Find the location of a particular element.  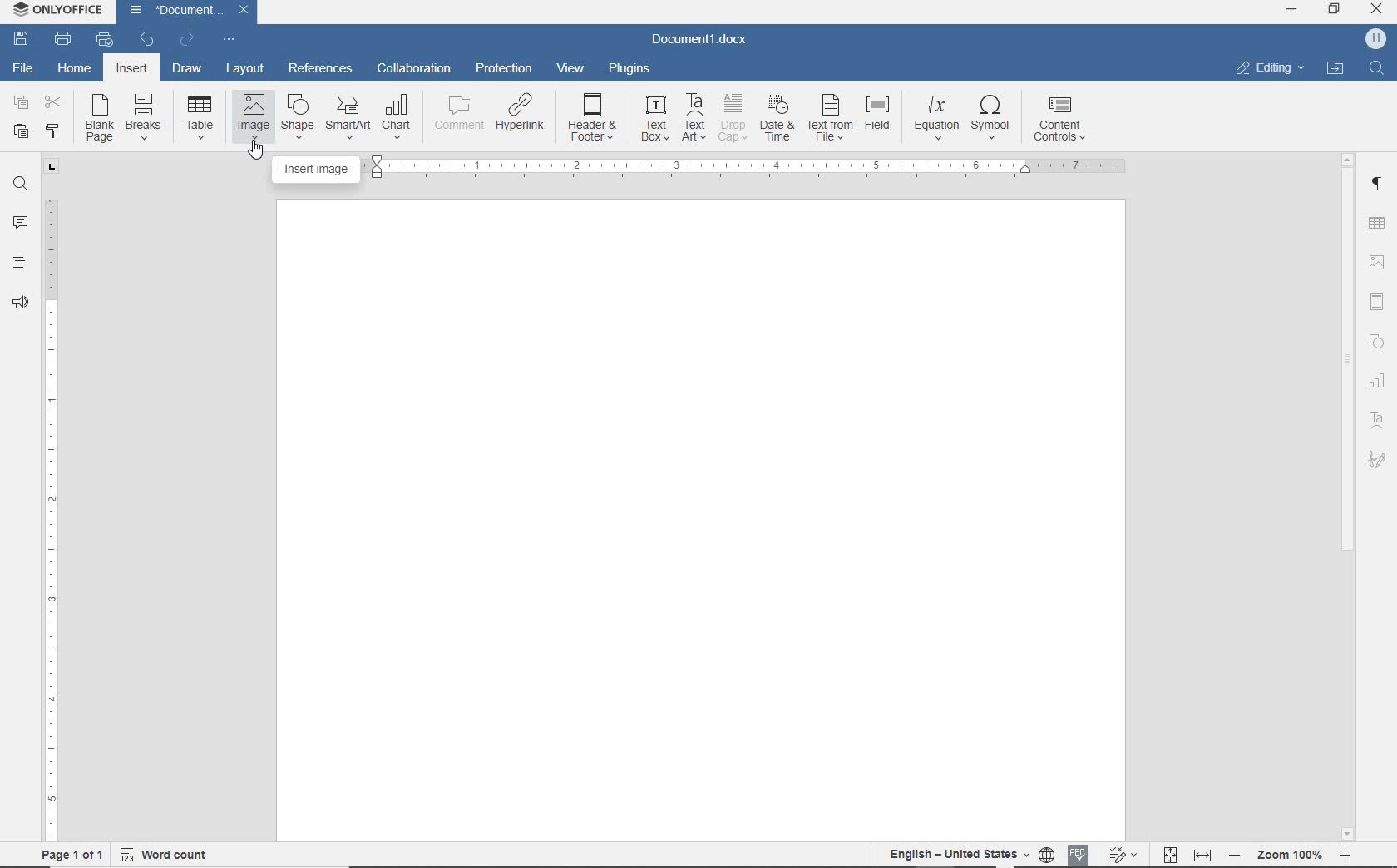

chart is located at coordinates (1376, 381).